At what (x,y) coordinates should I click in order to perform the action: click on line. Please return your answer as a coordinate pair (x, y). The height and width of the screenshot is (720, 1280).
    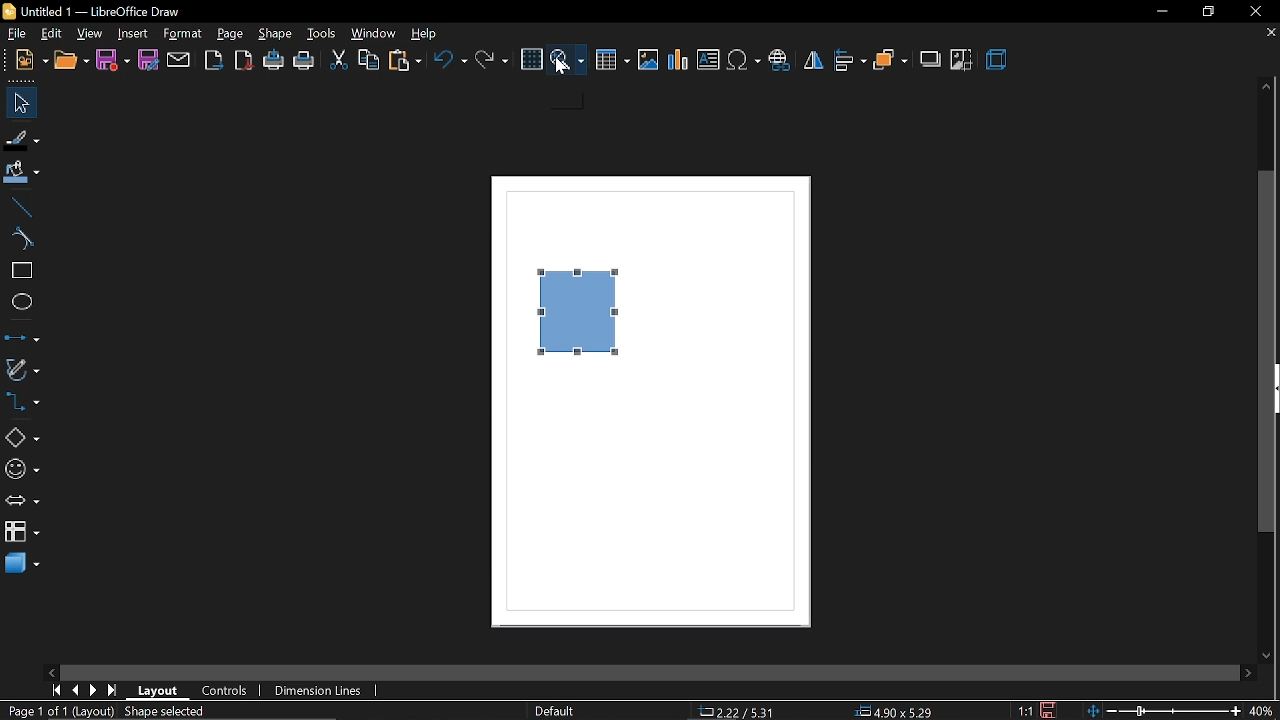
    Looking at the image, I should click on (18, 207).